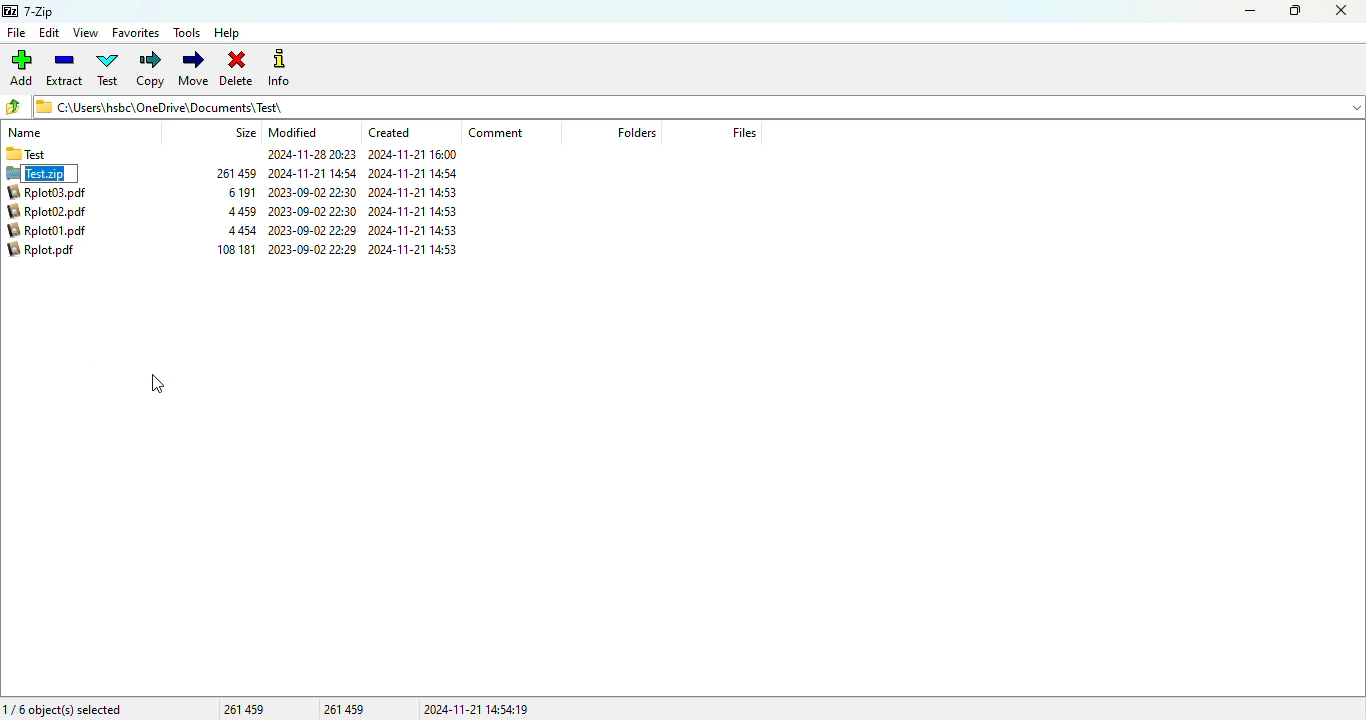 The height and width of the screenshot is (720, 1366). What do you see at coordinates (1251, 11) in the screenshot?
I see `minimize` at bounding box center [1251, 11].